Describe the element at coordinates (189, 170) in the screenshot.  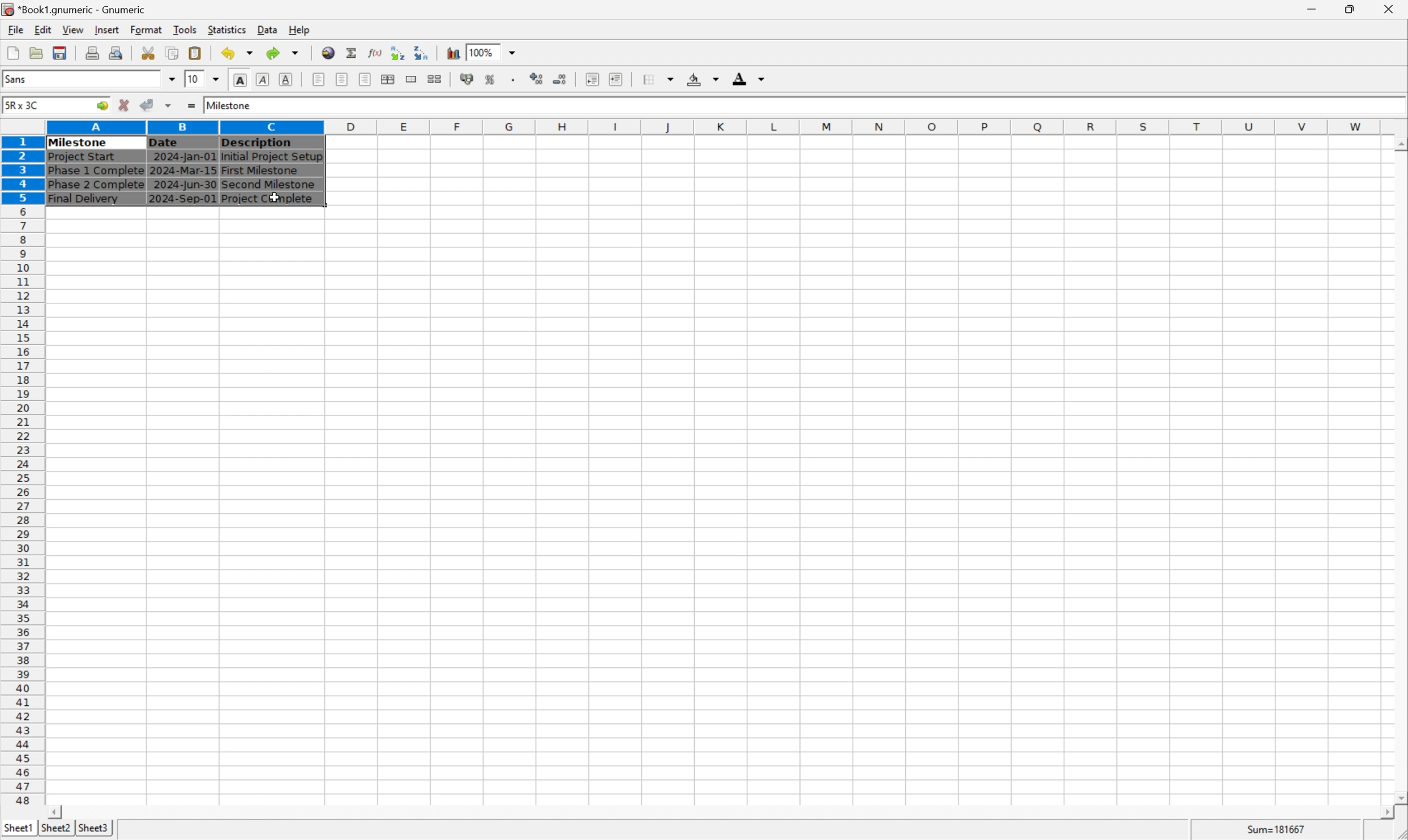
I see `Table` at that location.